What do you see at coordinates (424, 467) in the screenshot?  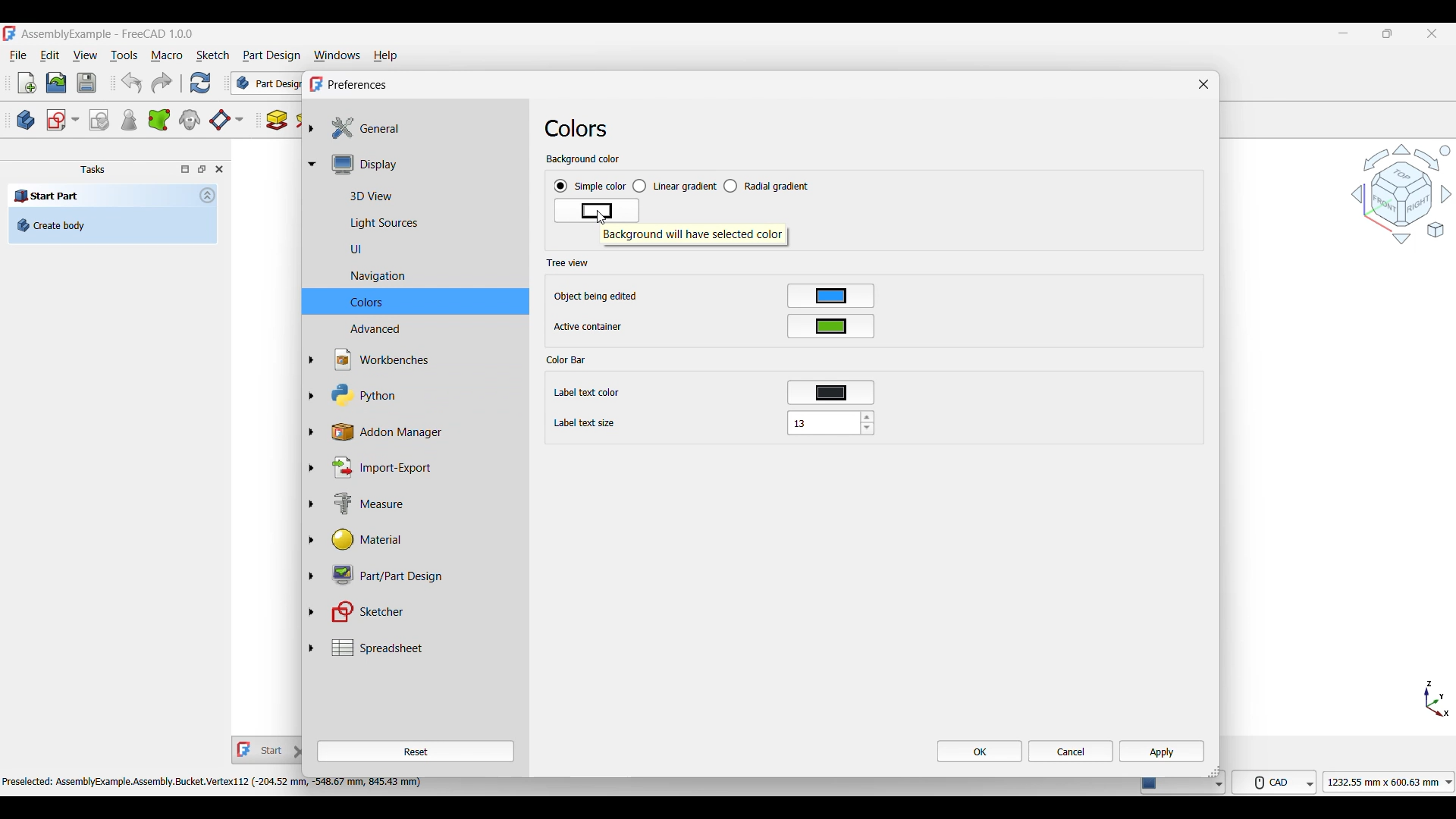 I see `Import-Export` at bounding box center [424, 467].